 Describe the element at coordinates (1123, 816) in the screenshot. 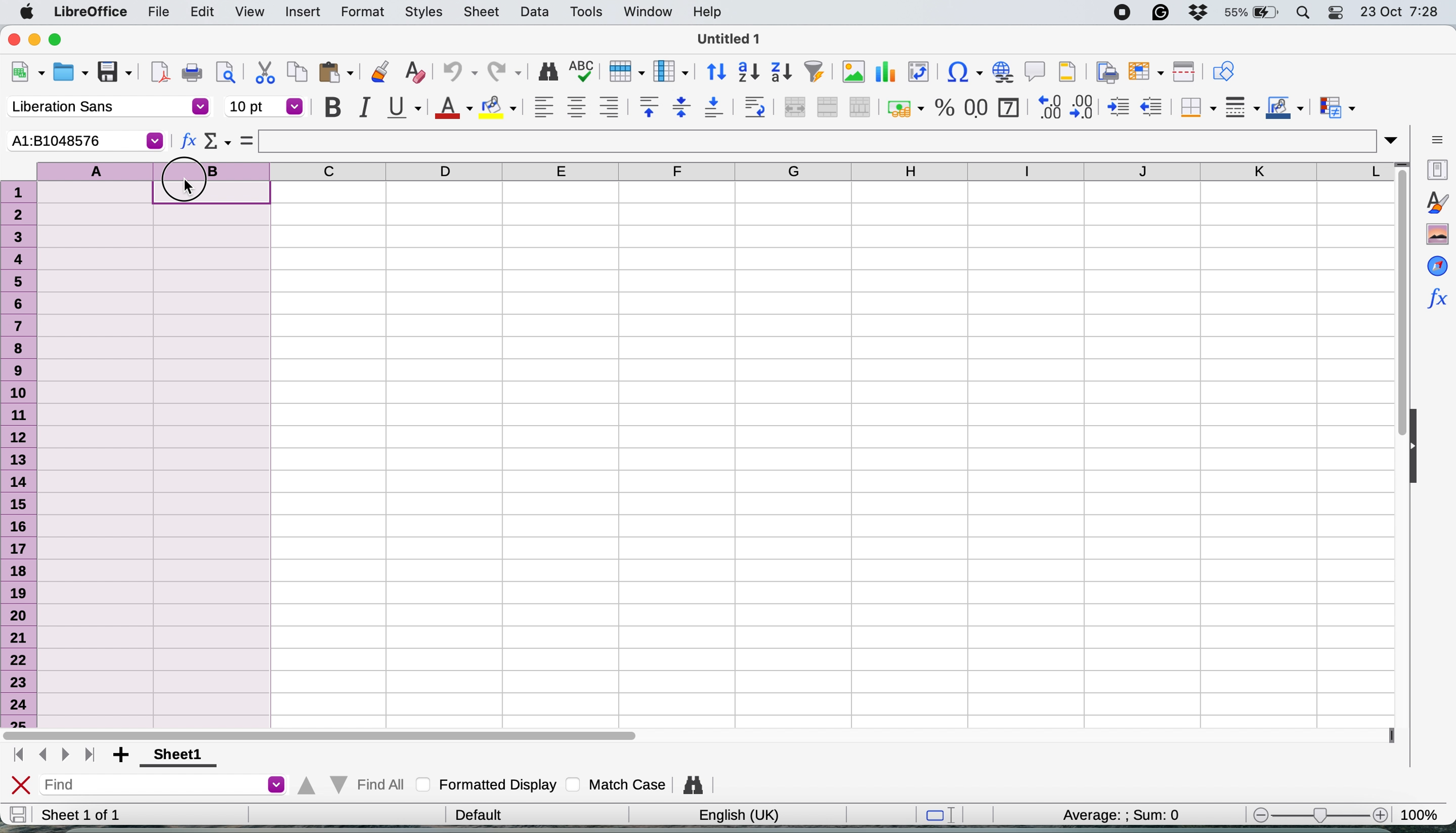

I see `average and sum` at that location.